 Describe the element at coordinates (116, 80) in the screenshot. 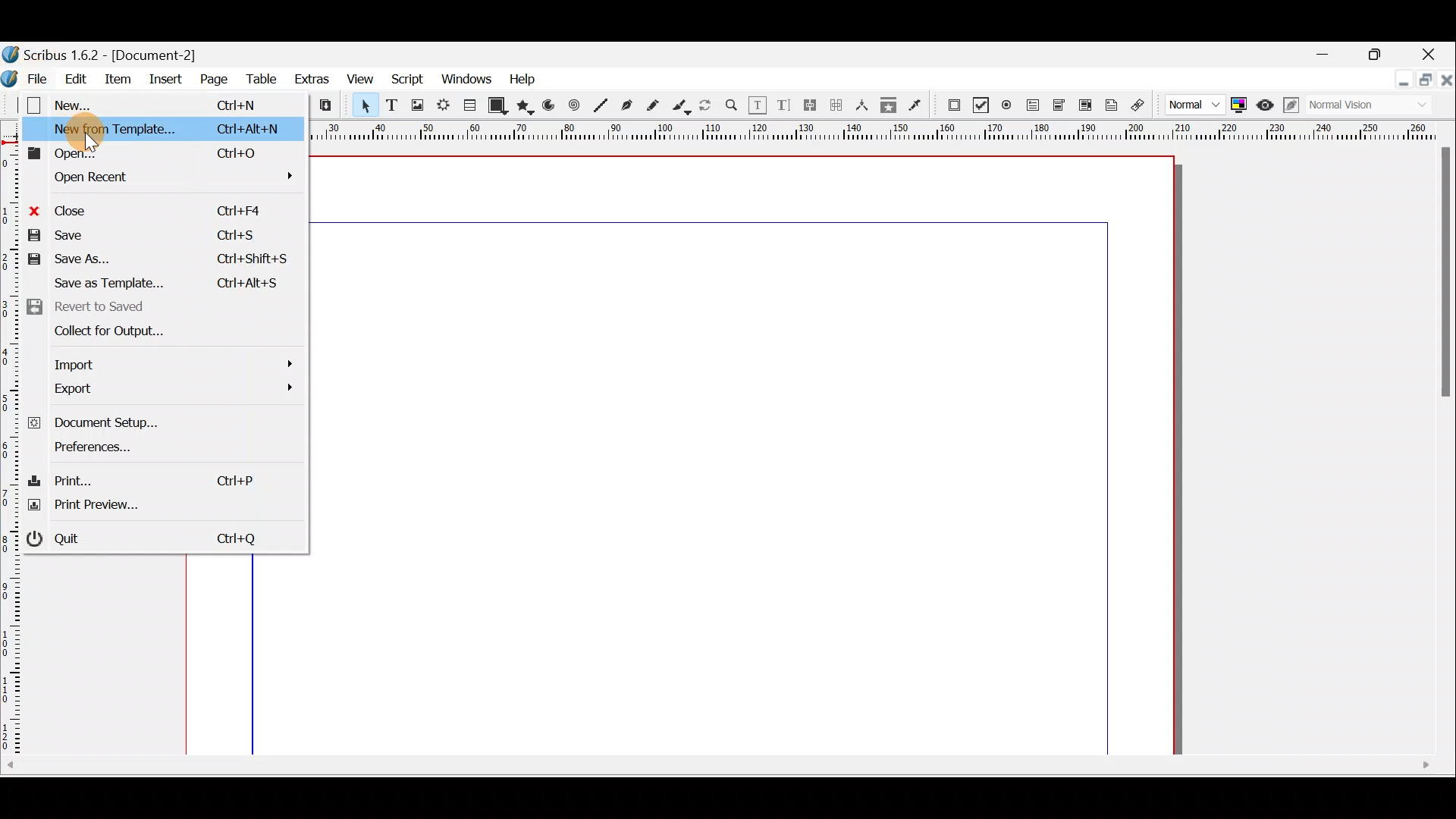

I see `Item` at that location.